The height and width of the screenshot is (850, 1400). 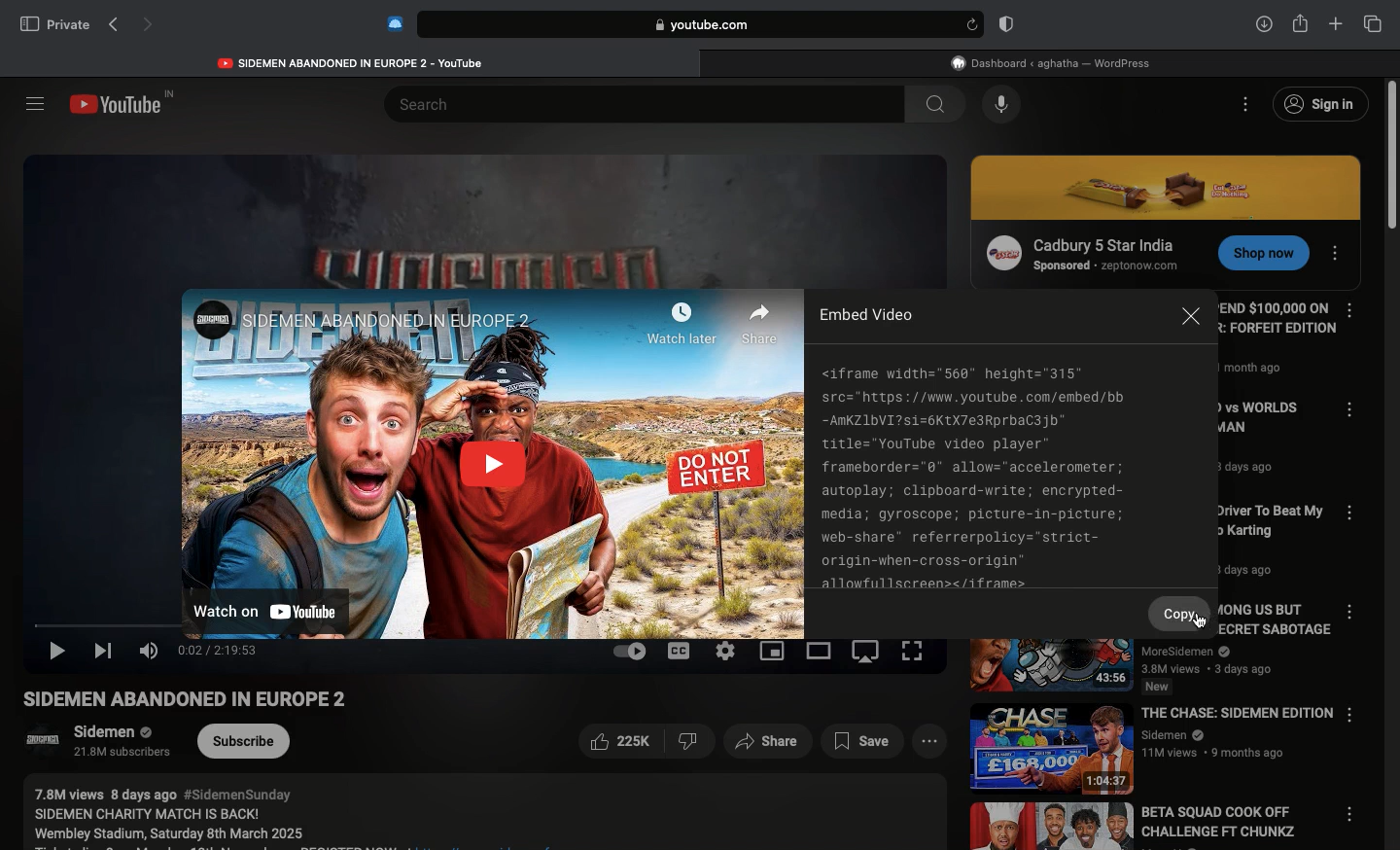 What do you see at coordinates (769, 742) in the screenshot?
I see `Share` at bounding box center [769, 742].